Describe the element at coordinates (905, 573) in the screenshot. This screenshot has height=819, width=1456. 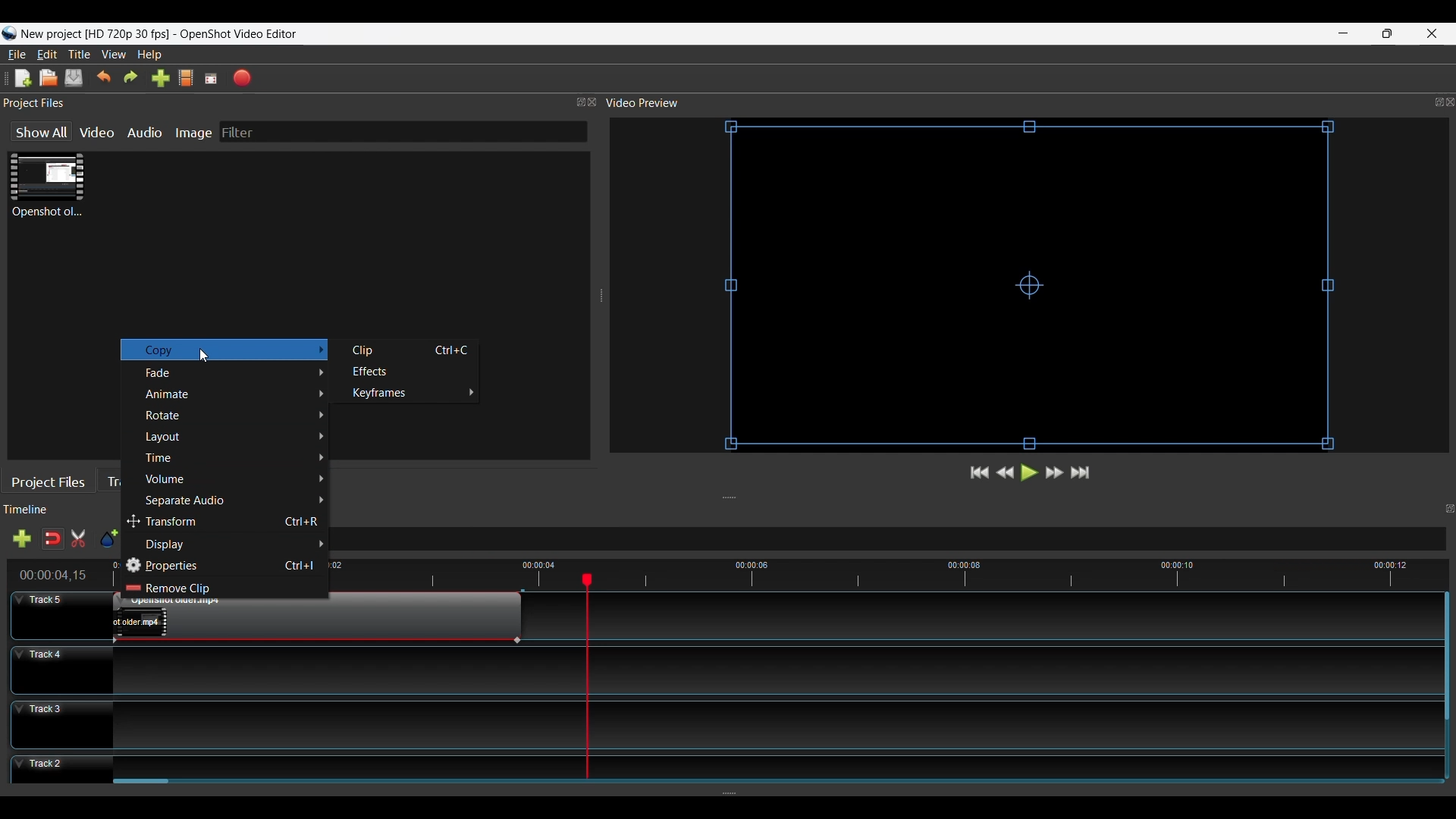
I see `Timeline` at that location.